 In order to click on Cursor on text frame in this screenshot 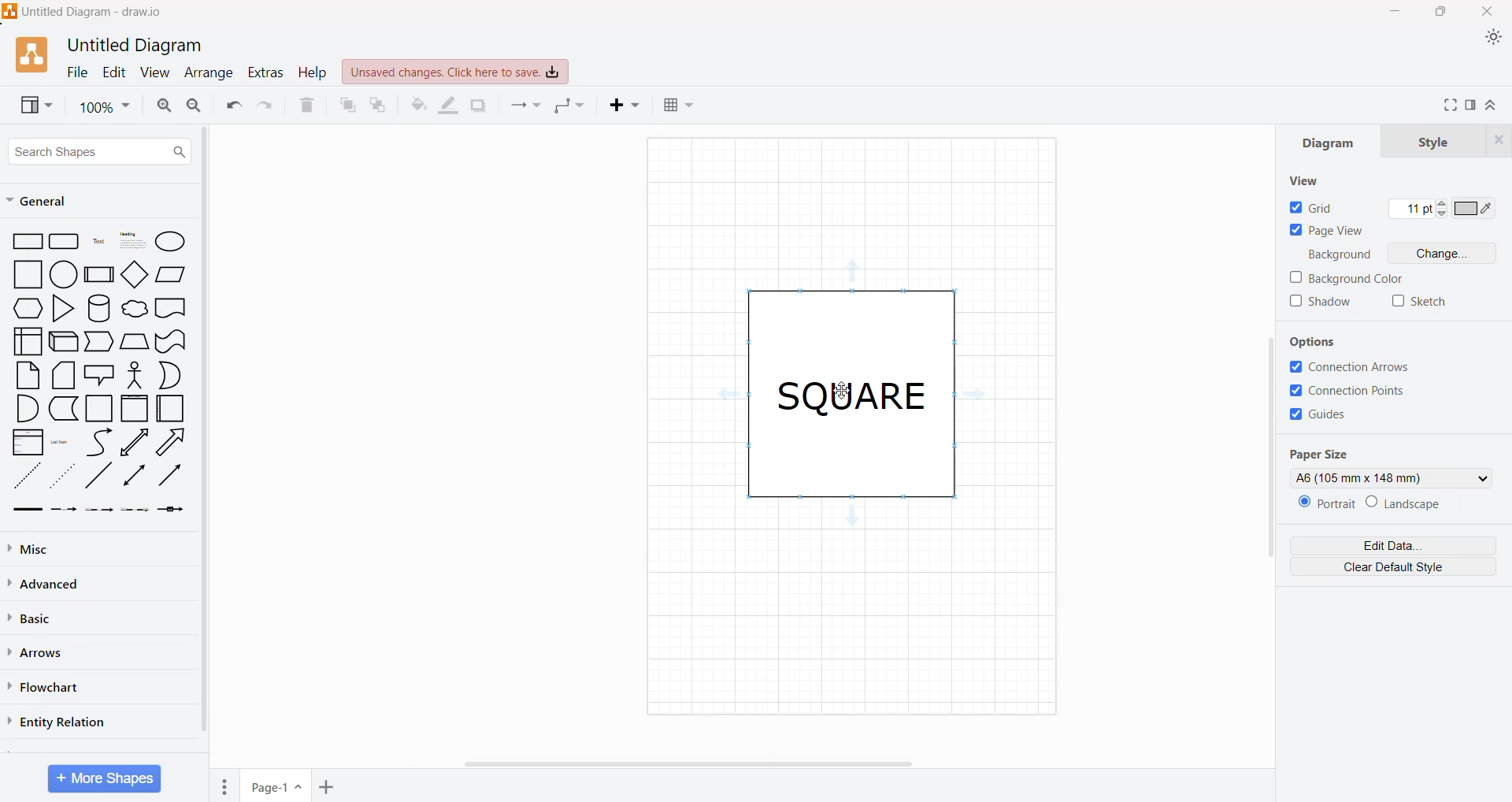, I will do `click(842, 391)`.